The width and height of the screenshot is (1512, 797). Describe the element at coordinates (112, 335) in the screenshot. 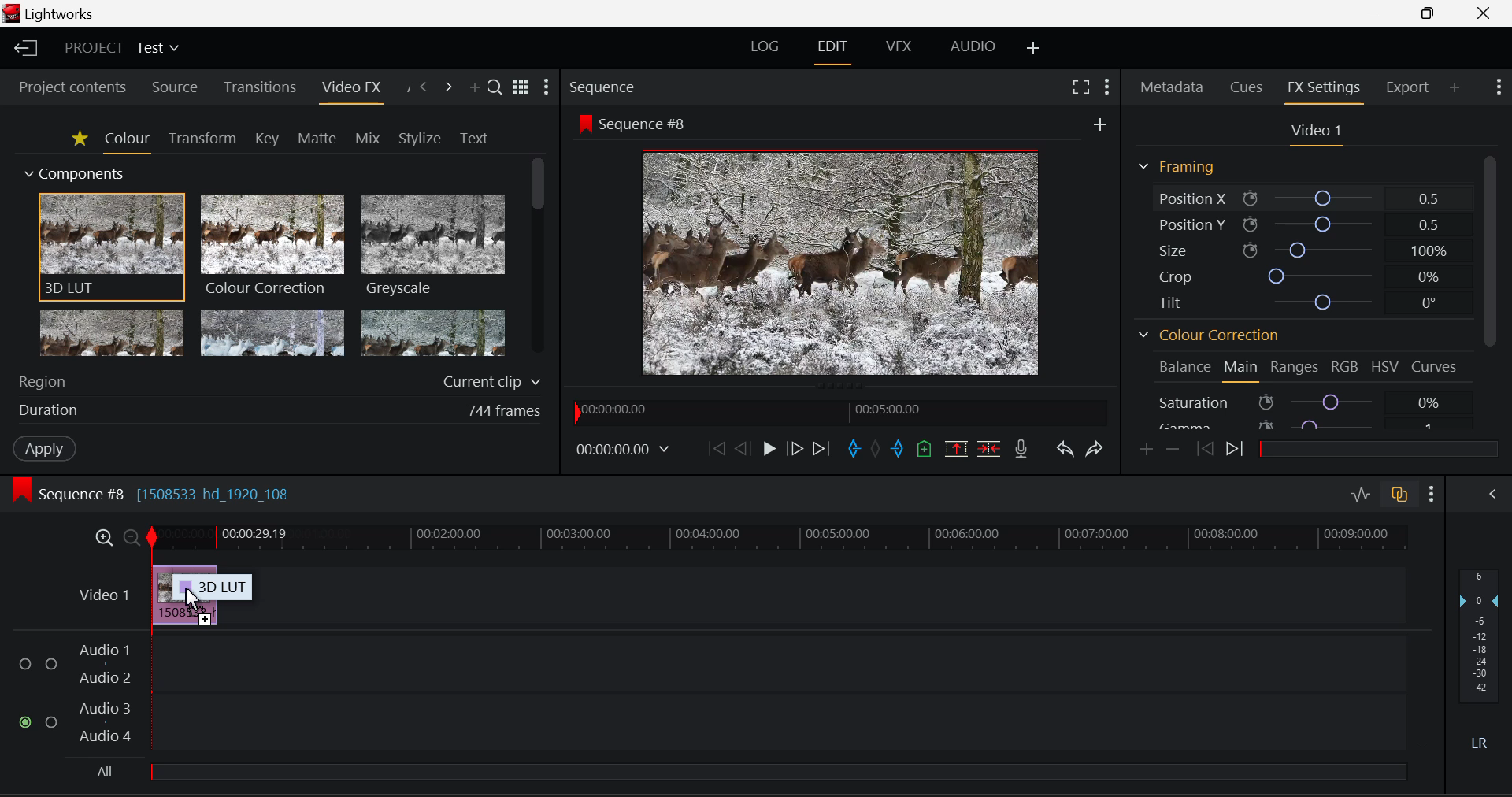

I see `Glow` at that location.